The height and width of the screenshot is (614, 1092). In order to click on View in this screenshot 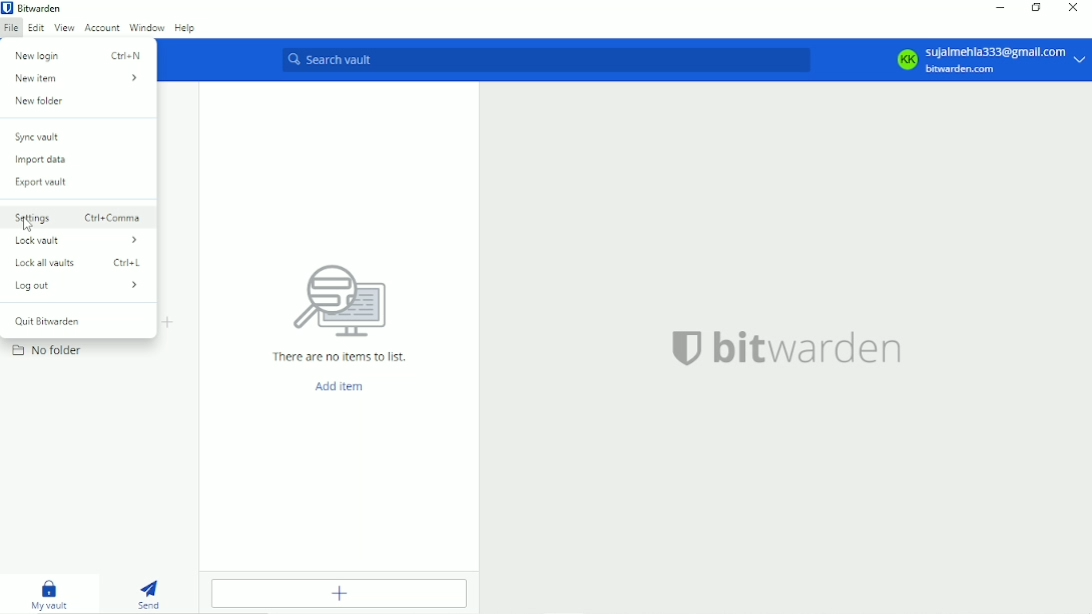, I will do `click(64, 30)`.